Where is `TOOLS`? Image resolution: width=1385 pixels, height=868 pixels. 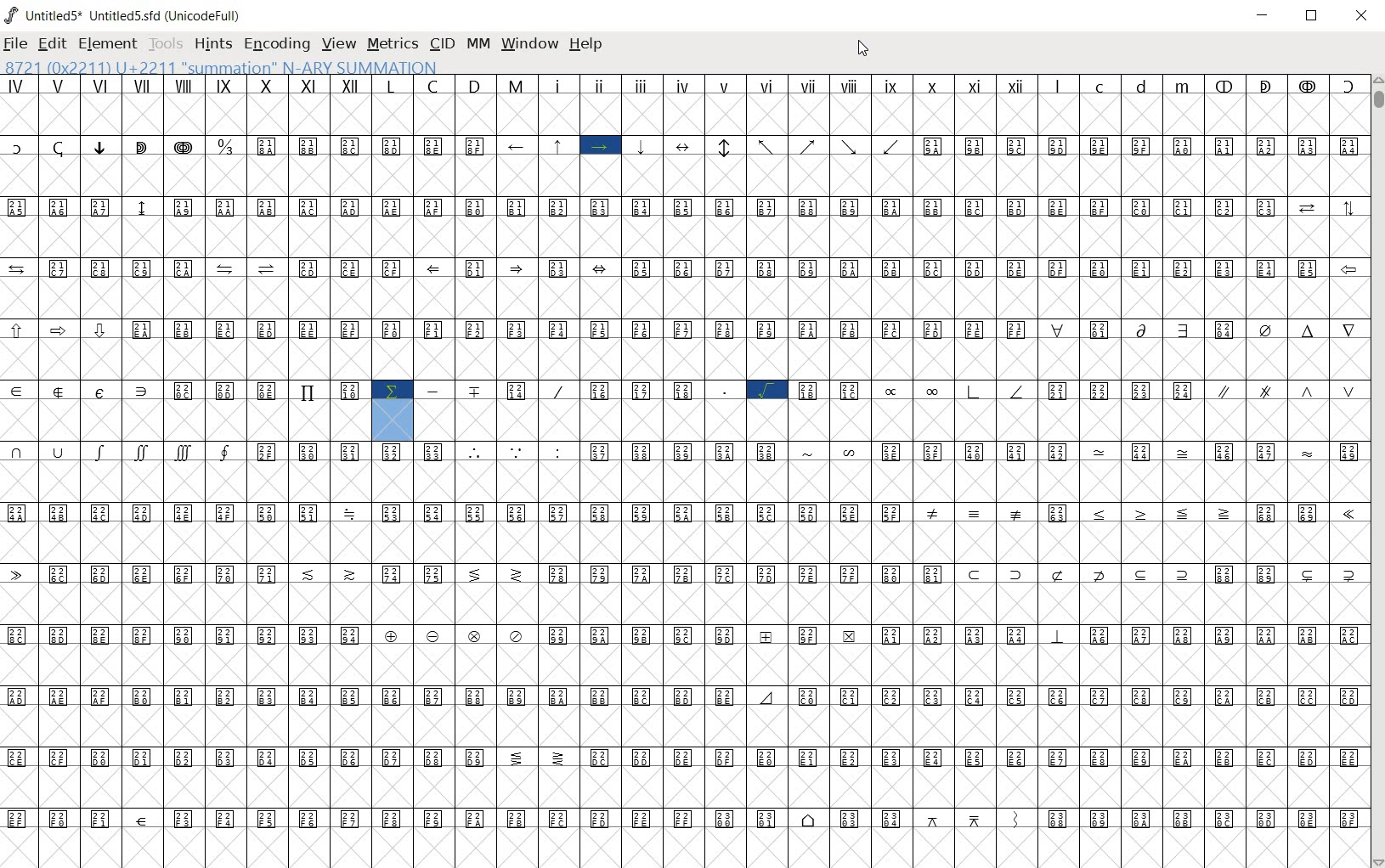
TOOLS is located at coordinates (166, 44).